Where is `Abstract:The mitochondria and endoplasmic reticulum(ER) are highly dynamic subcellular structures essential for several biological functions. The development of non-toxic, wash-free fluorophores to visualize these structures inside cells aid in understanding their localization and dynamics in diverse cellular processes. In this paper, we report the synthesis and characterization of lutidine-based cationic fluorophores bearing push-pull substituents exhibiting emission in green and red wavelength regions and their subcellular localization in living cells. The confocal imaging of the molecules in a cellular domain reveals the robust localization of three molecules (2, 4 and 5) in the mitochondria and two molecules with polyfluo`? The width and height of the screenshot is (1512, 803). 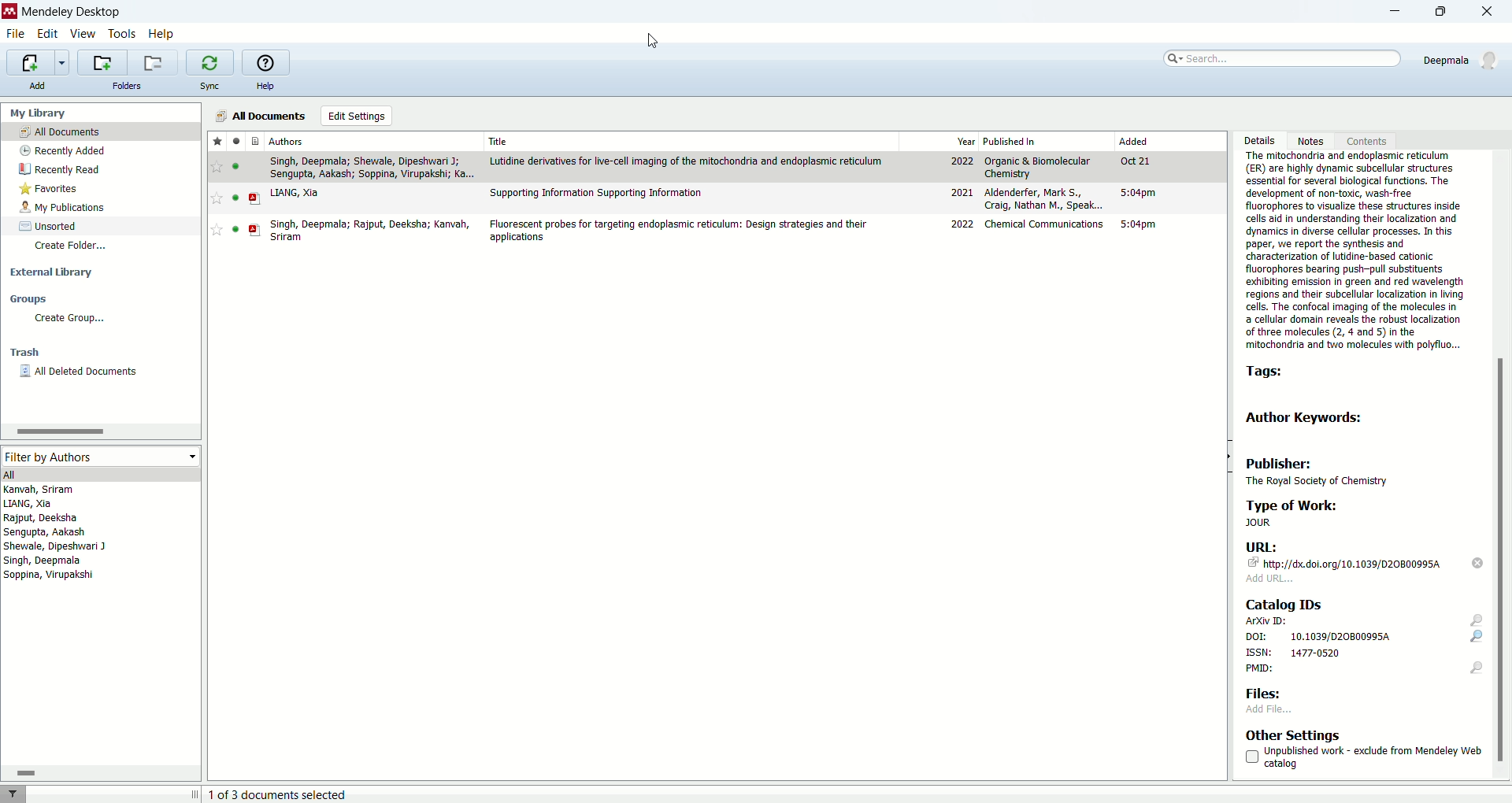
Abstract:The mitochondria and endoplasmic reticulum(ER) are highly dynamic subcellular structures essential for several biological functions. The development of non-toxic, wash-free fluorophores to visualize these structures inside cells aid in understanding their localization and dynamics in diverse cellular processes. In this paper, we report the synthesis and characterization of lutidine-based cationic fluorophores bearing push-pull substituents exhibiting emission in green and red wavelength regions and their subcellular localization in living cells. The confocal imaging of the molecules in a cellular domain reveals the robust localization of three molecules (2, 4 and 5) in the mitochondria and two molecules with polyfluo is located at coordinates (1354, 252).